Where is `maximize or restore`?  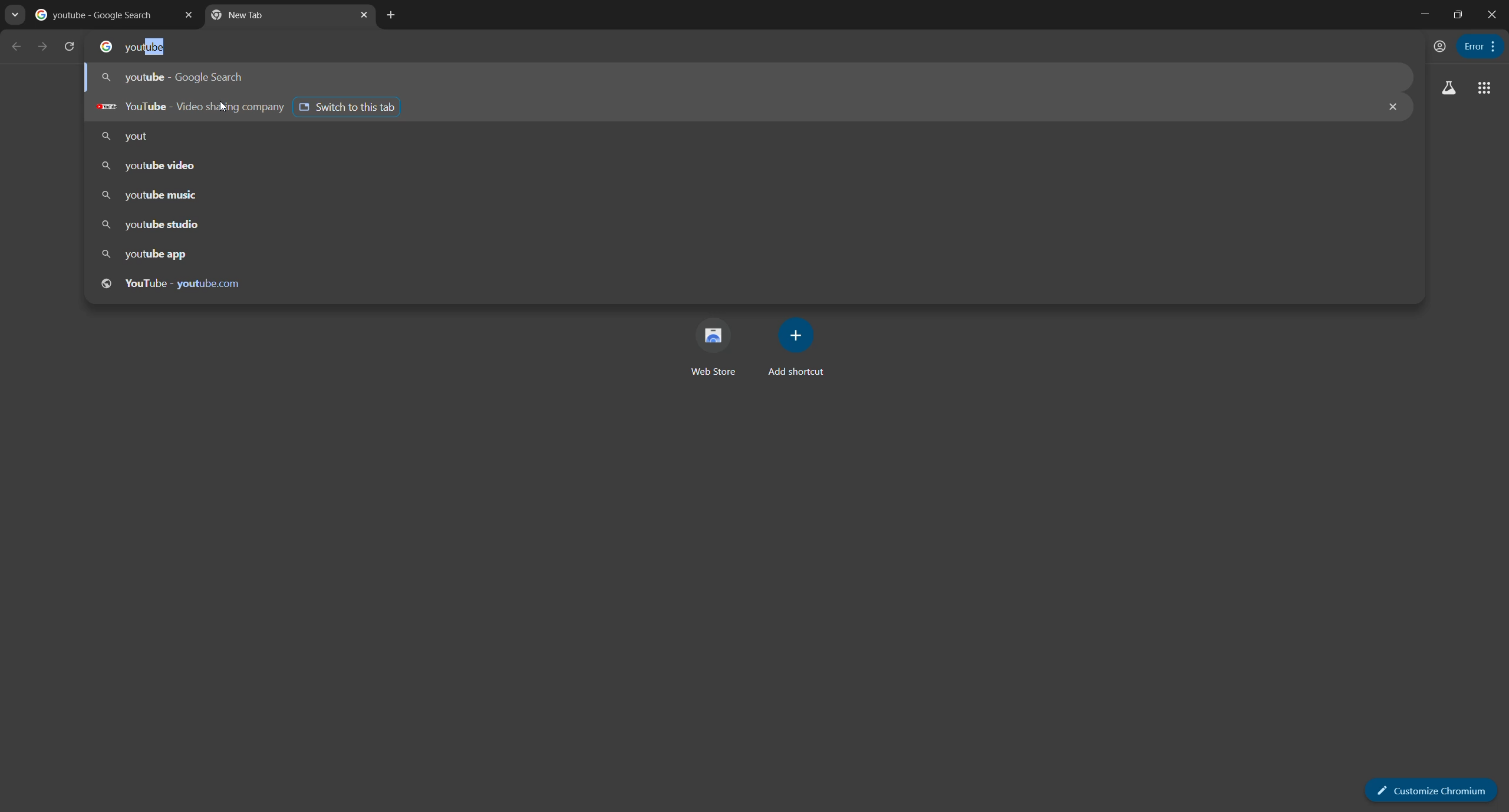
maximize or restore is located at coordinates (1459, 14).